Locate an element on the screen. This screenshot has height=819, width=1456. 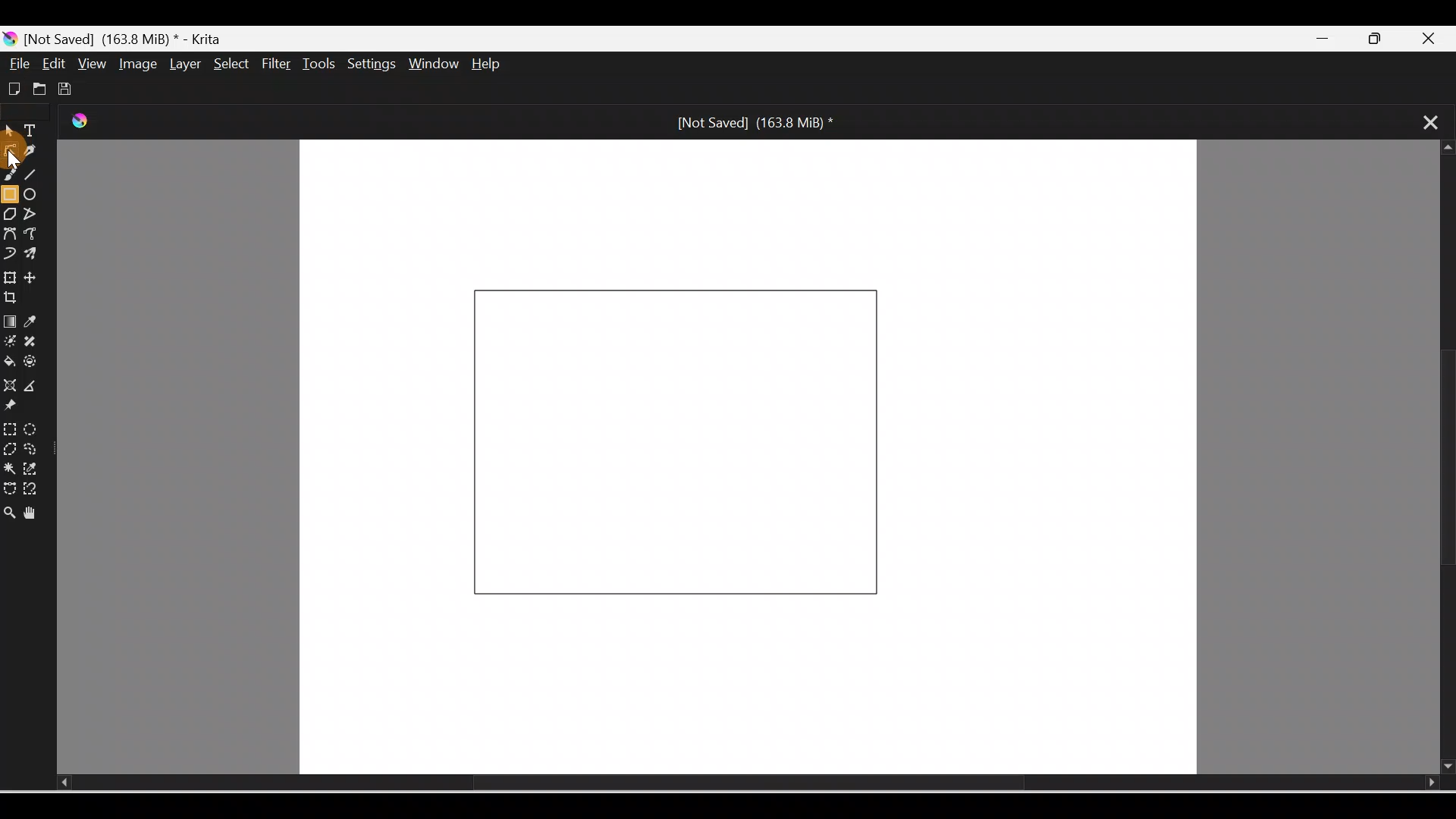
Dynamic brush tool is located at coordinates (9, 252).